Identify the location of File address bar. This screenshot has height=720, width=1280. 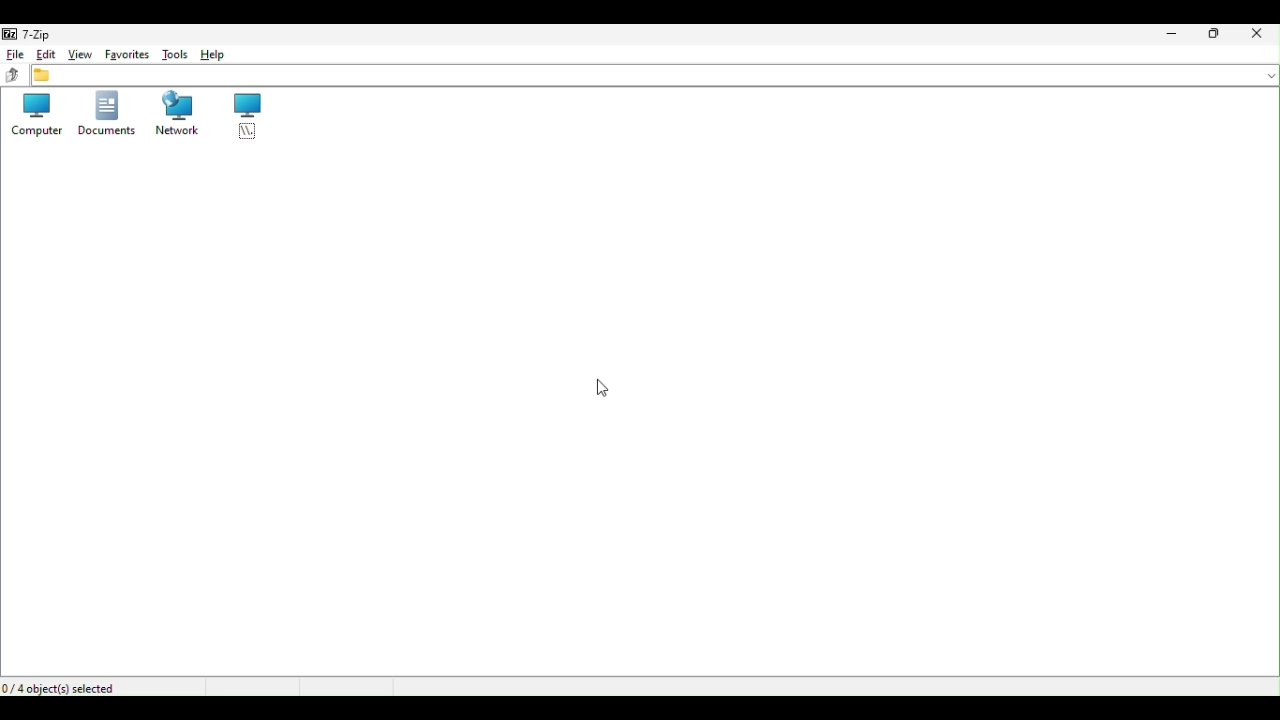
(656, 74).